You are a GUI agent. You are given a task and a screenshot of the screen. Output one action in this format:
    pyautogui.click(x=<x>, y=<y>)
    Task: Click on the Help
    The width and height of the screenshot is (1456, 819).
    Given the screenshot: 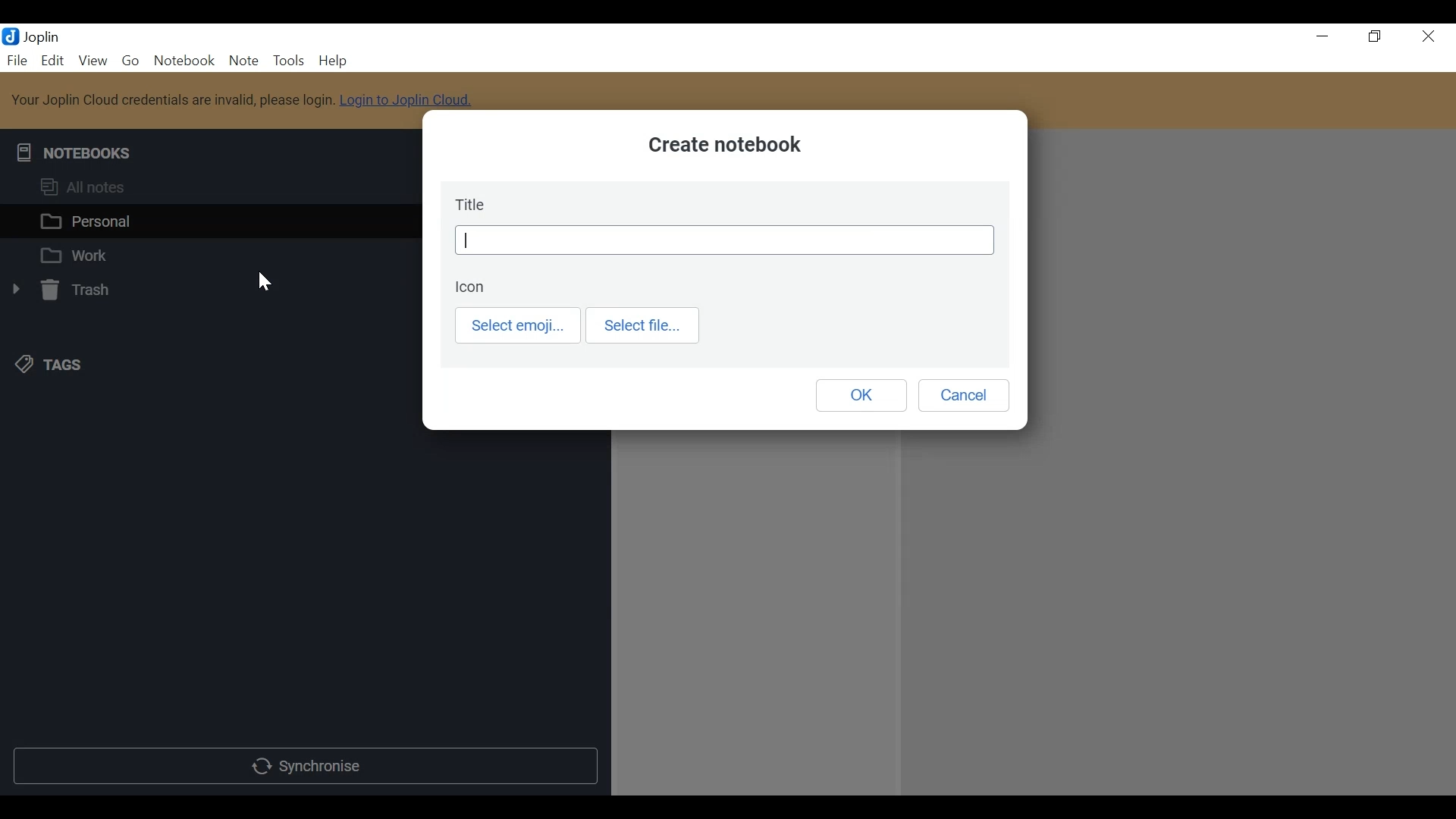 What is the action you would take?
    pyautogui.click(x=331, y=61)
    